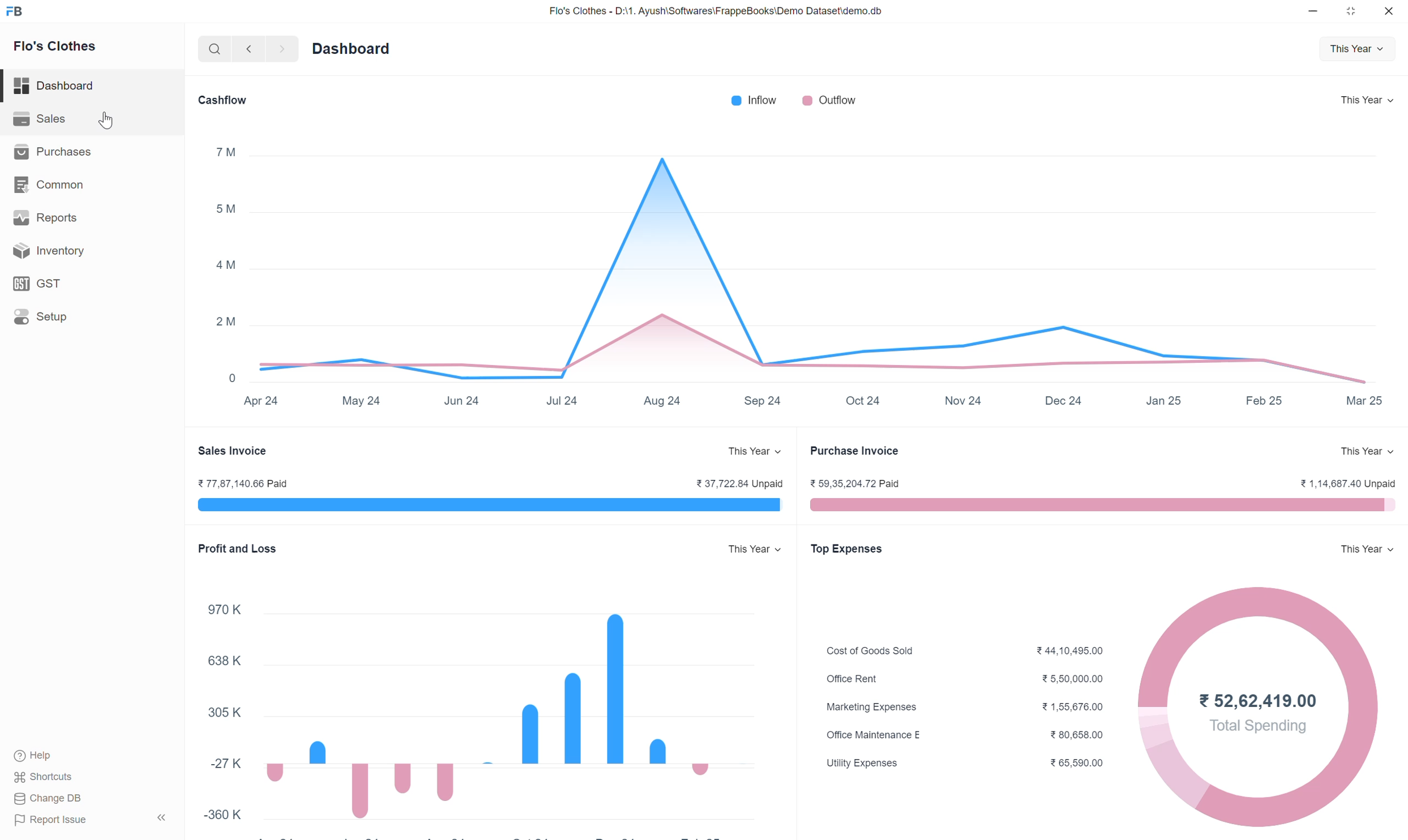 The height and width of the screenshot is (840, 1408). Describe the element at coordinates (847, 550) in the screenshot. I see `Top Expenses` at that location.